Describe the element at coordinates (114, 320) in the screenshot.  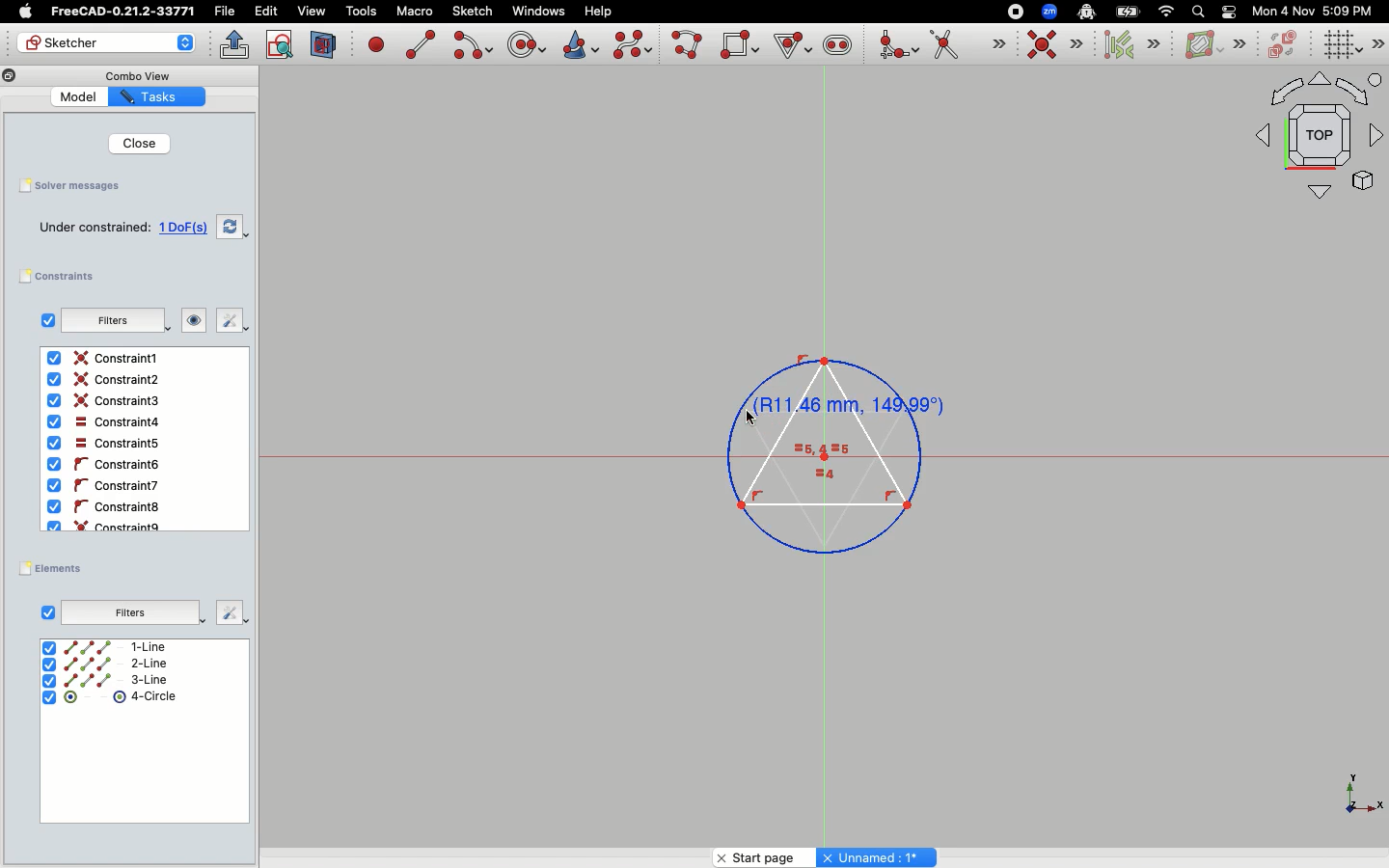
I see `Filters` at that location.